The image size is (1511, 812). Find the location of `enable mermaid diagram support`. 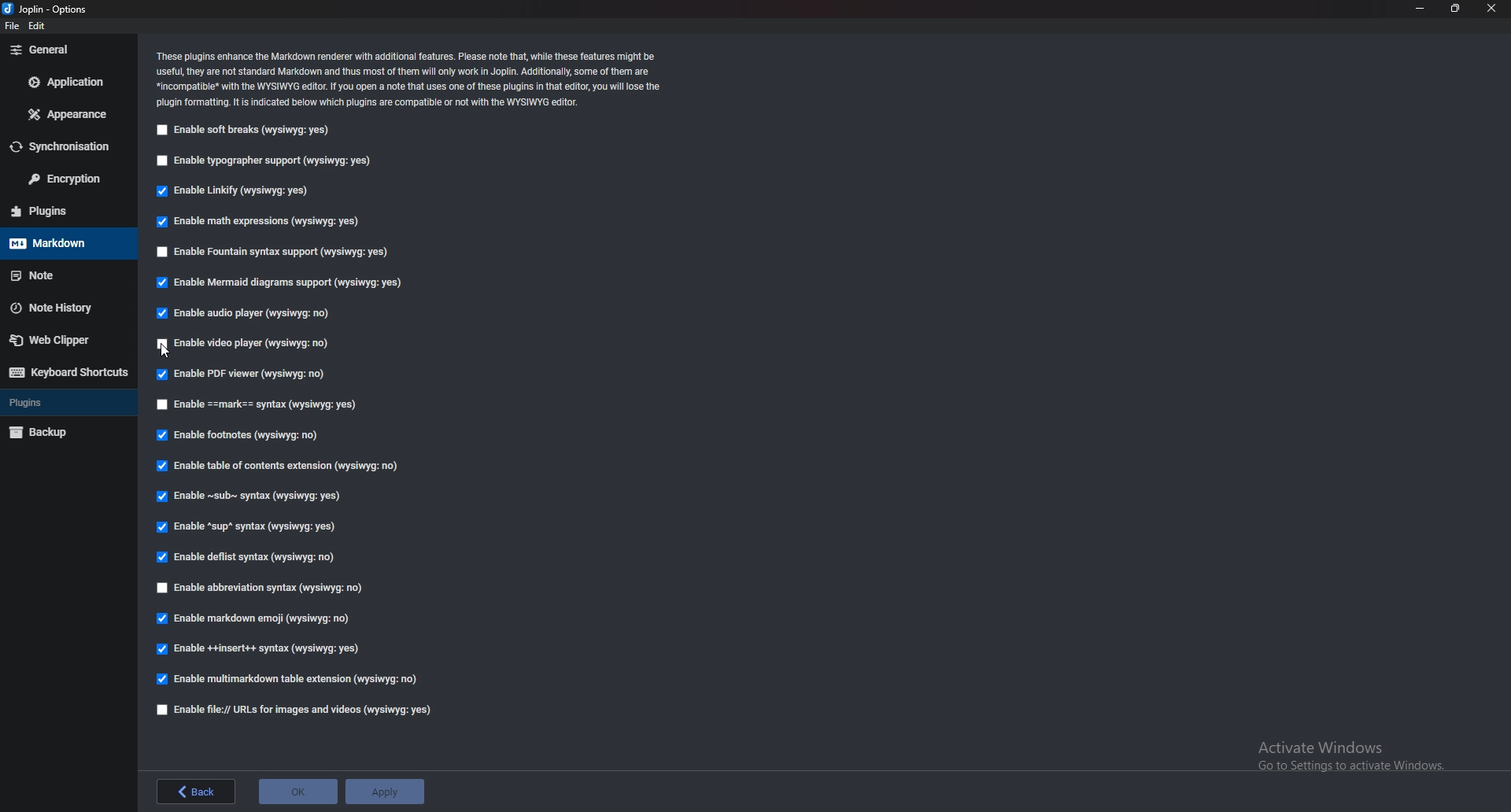

enable mermaid diagram support is located at coordinates (280, 285).